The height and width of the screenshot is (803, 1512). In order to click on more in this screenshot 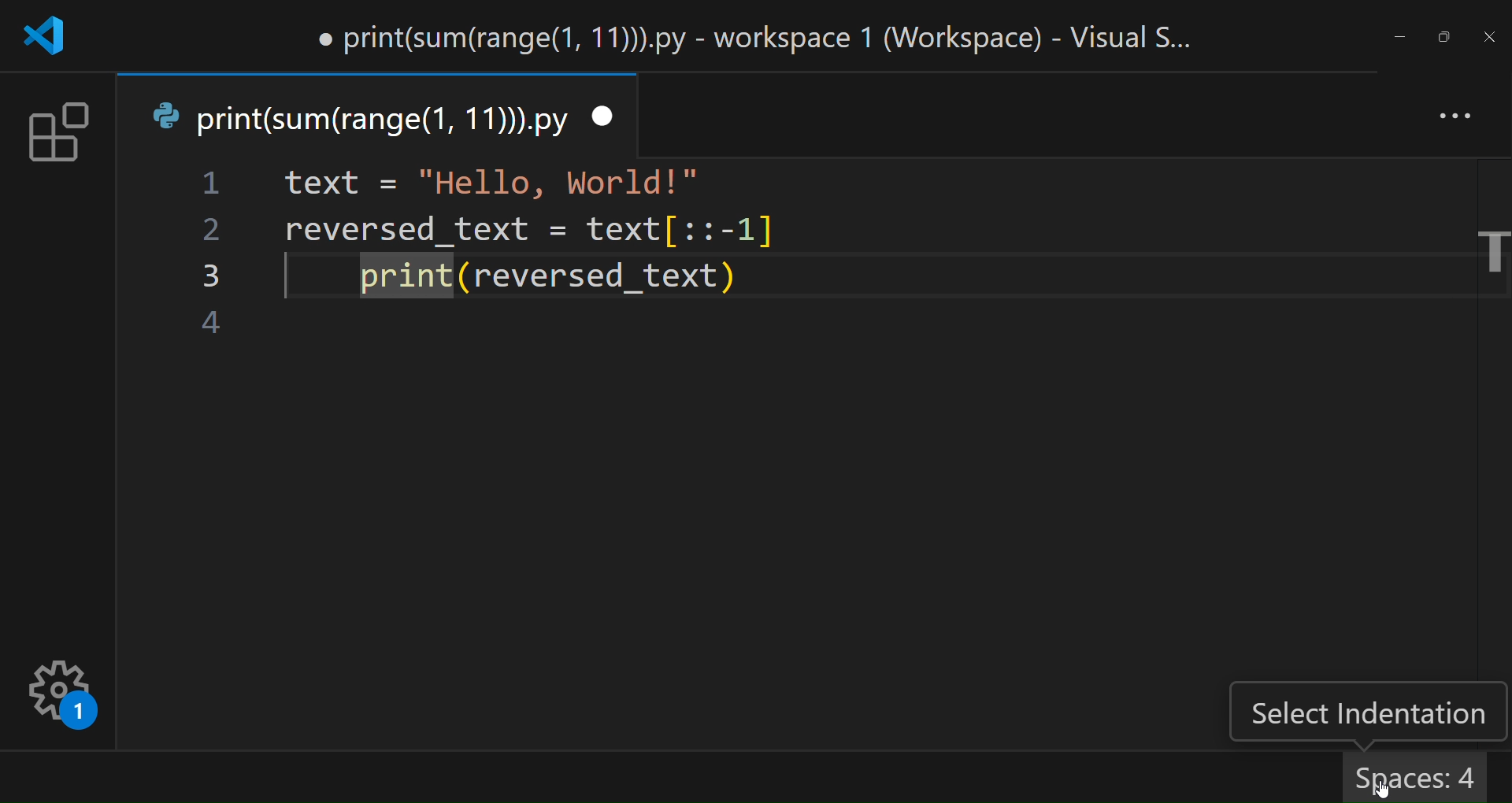, I will do `click(1451, 120)`.